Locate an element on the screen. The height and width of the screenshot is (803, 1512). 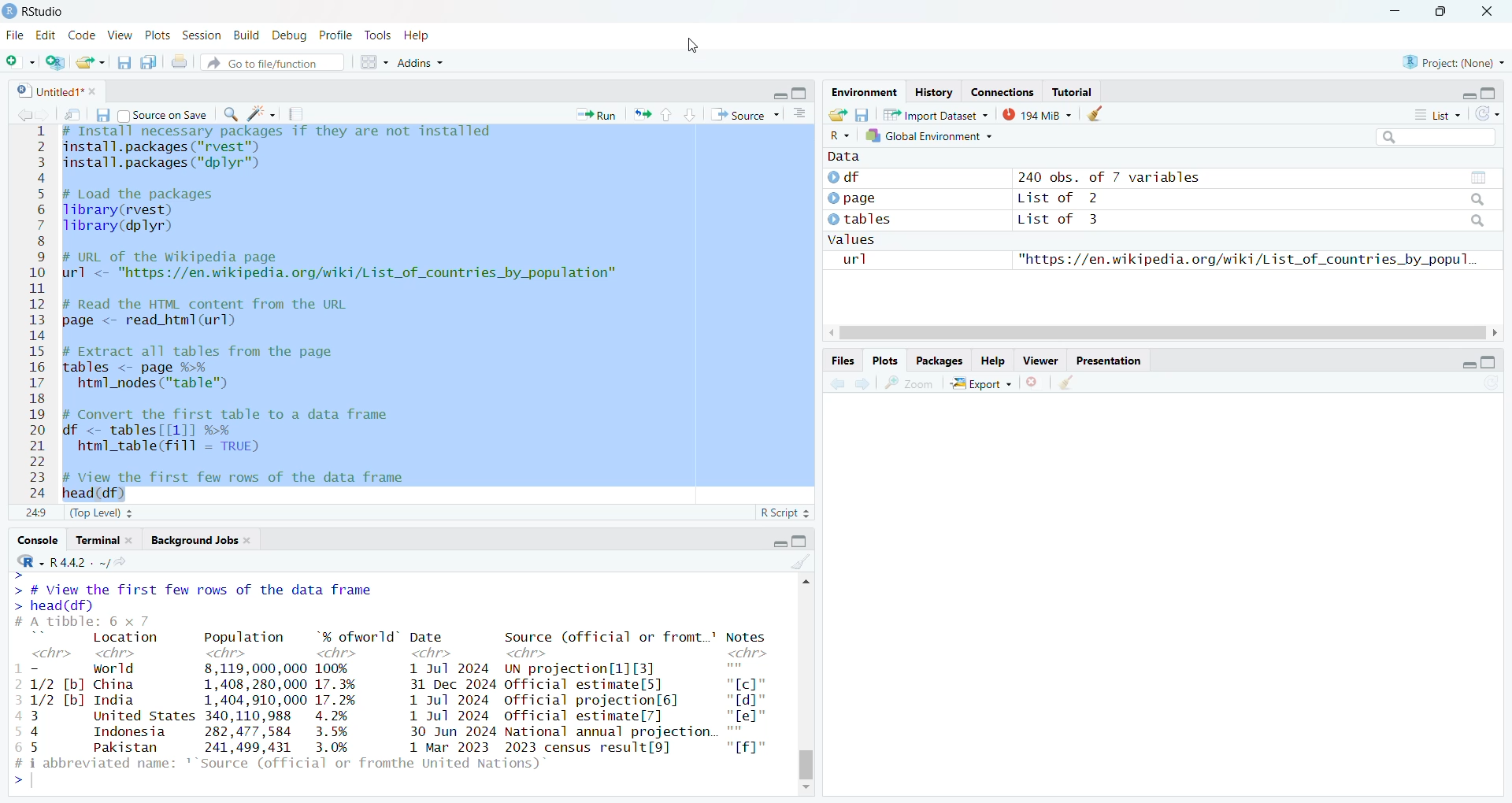
search is located at coordinates (232, 114).